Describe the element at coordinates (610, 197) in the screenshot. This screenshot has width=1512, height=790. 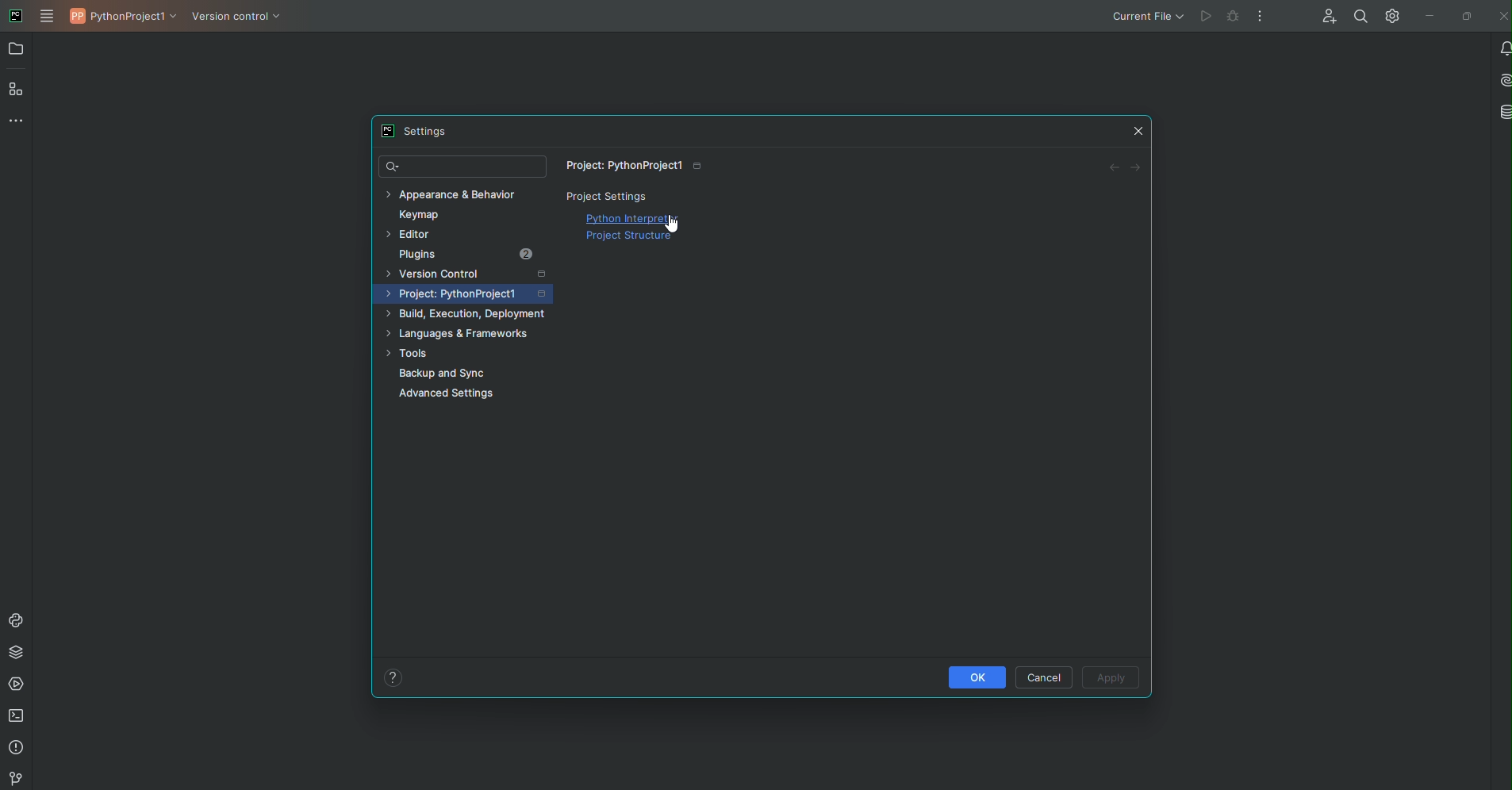
I see `Project Settings` at that location.